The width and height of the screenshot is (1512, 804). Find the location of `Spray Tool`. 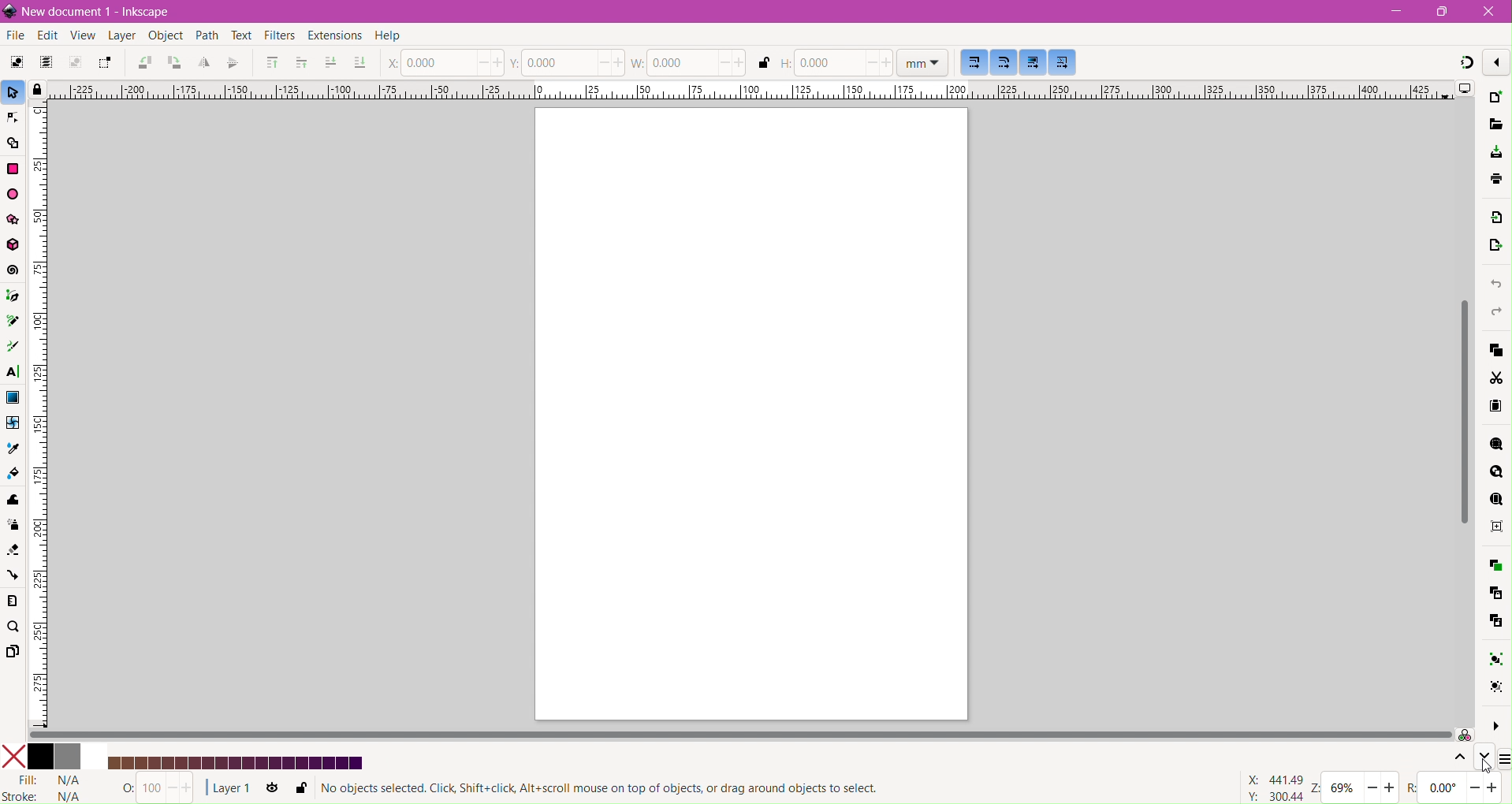

Spray Tool is located at coordinates (13, 525).